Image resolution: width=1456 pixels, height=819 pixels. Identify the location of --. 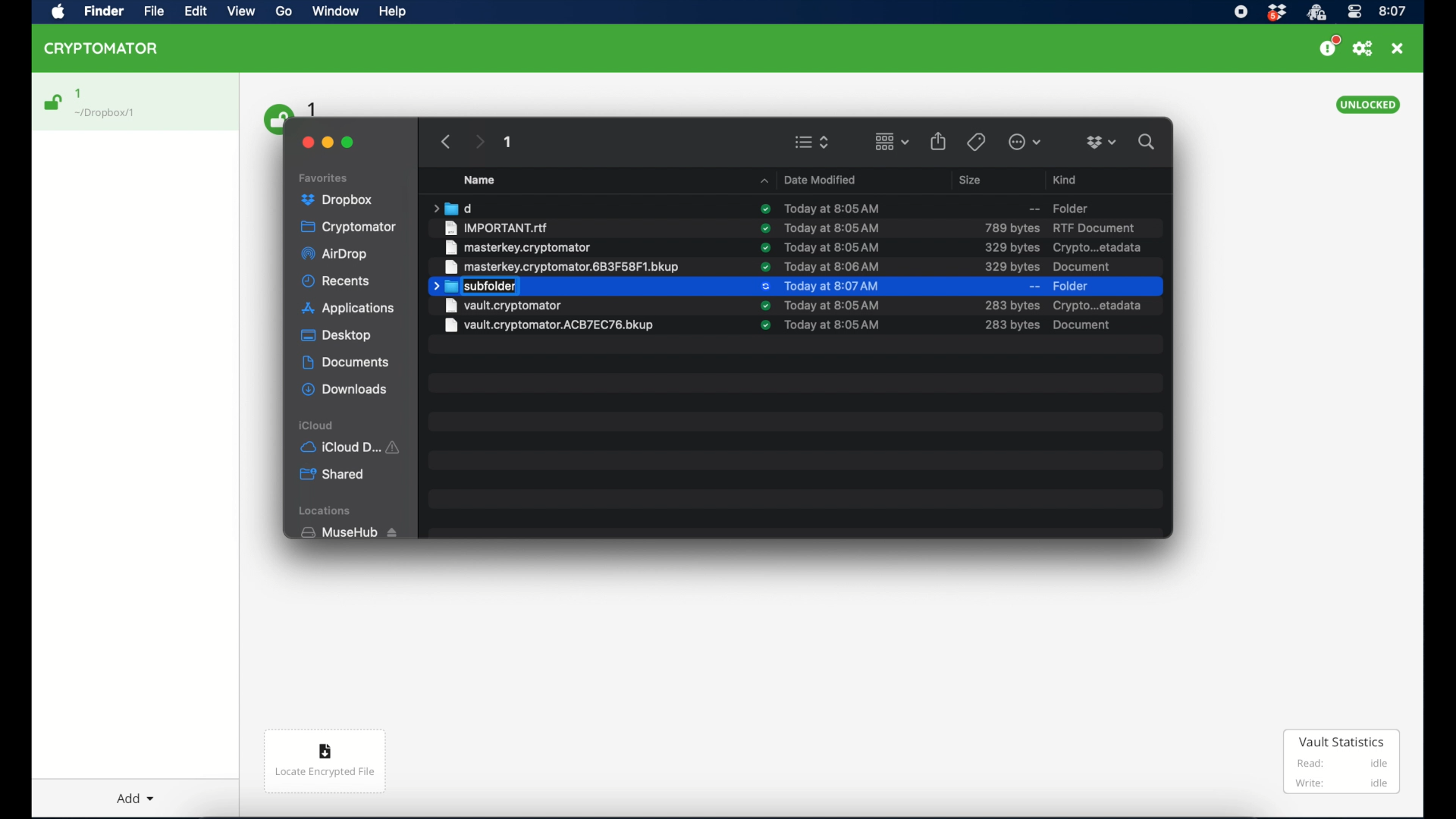
(1034, 287).